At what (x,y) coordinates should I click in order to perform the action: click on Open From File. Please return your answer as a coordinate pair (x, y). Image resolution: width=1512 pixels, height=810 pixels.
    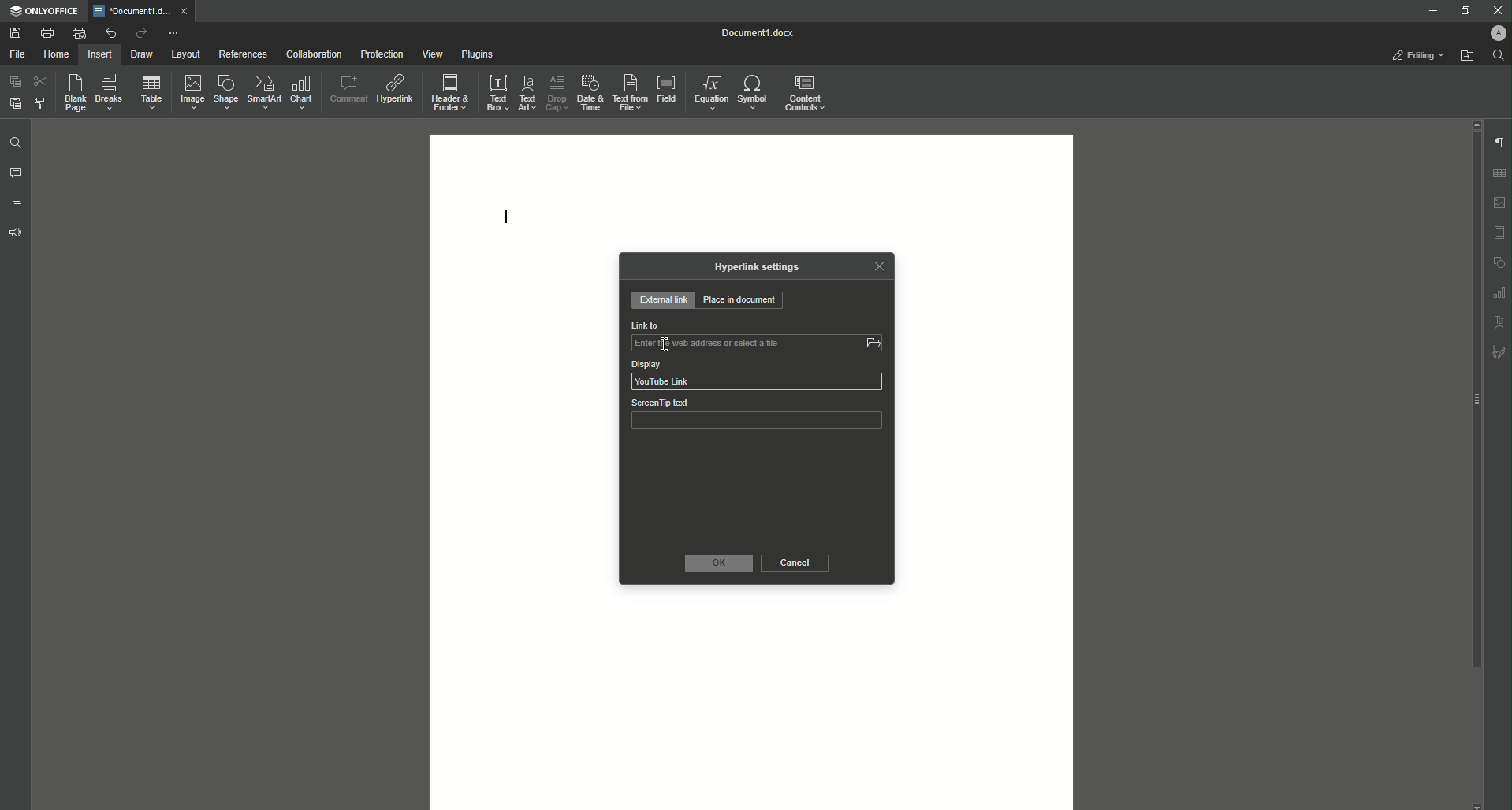
    Looking at the image, I should click on (1467, 58).